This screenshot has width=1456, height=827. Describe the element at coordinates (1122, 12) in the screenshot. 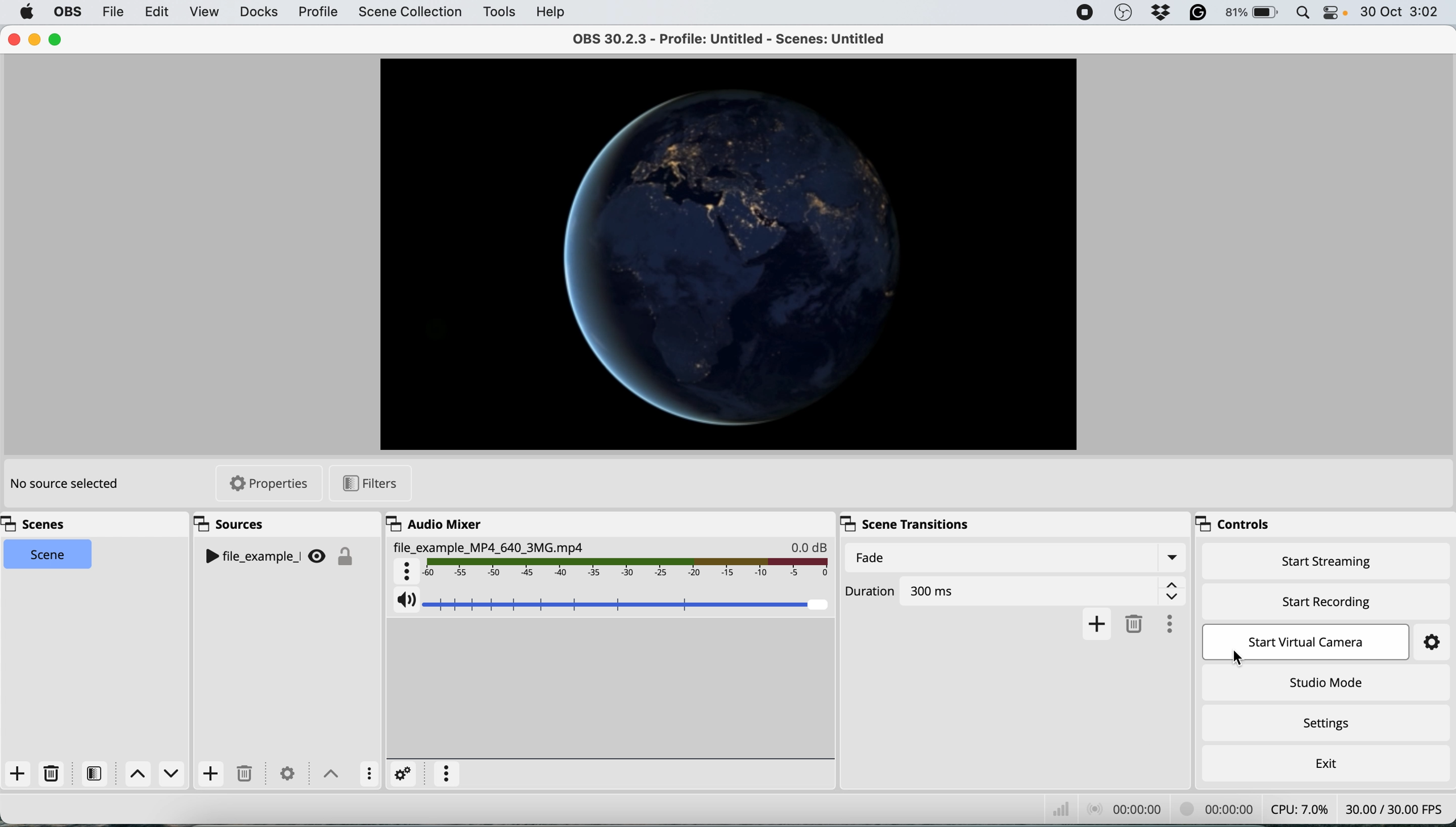

I see `obs studio` at that location.